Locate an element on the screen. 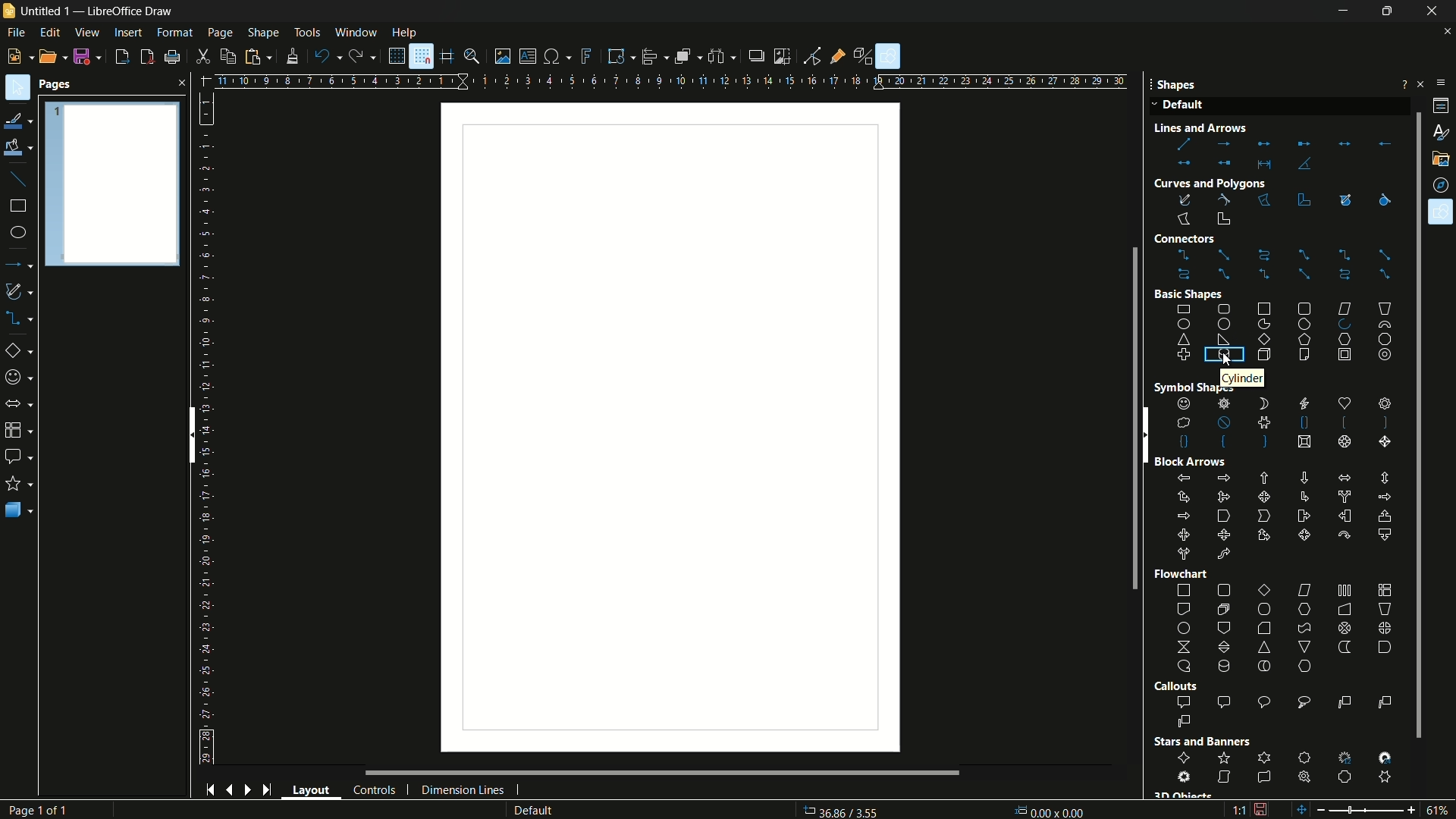 Image resolution: width=1456 pixels, height=819 pixels. file menu is located at coordinates (14, 33).